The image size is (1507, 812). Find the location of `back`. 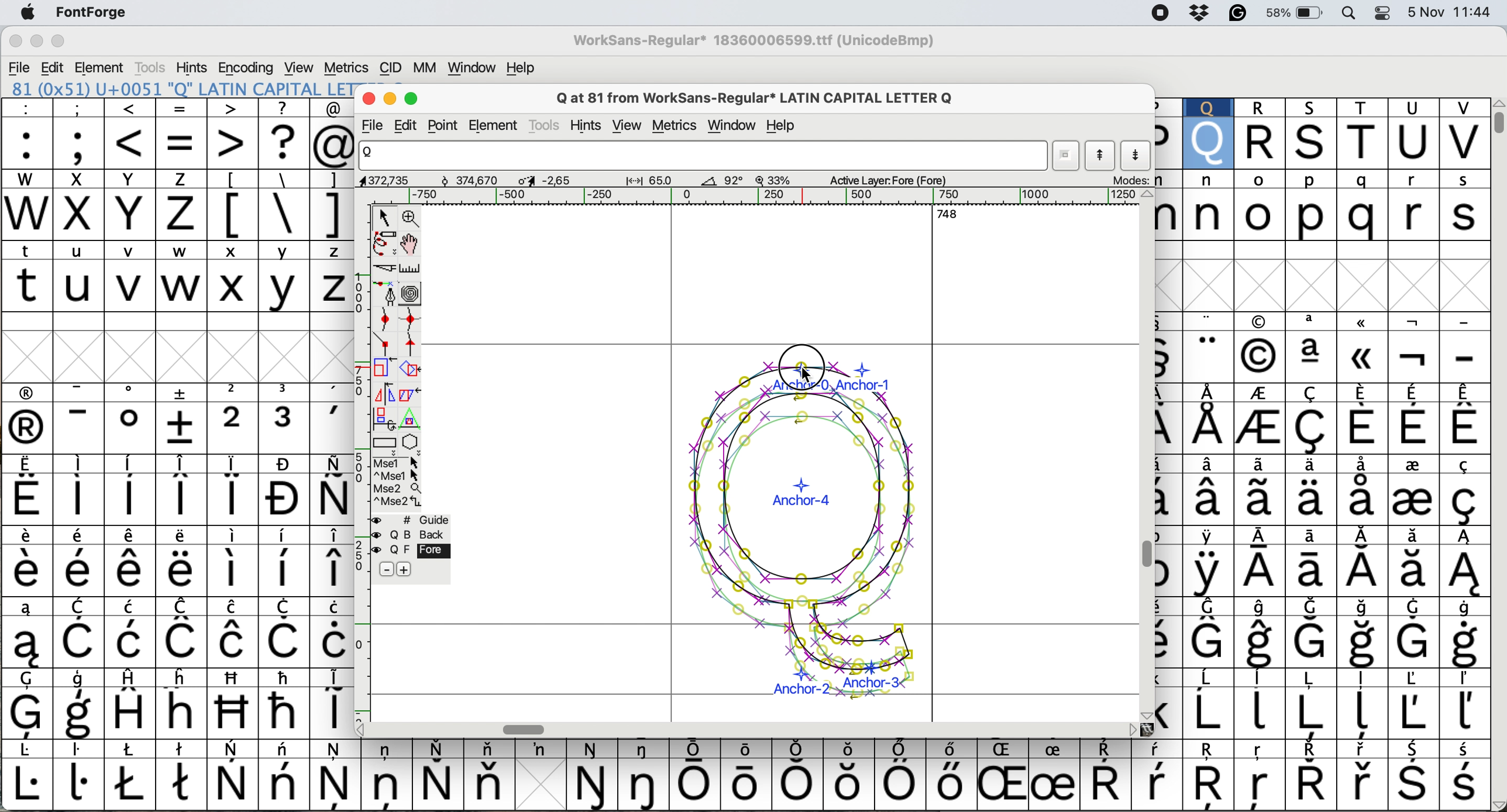

back is located at coordinates (412, 535).